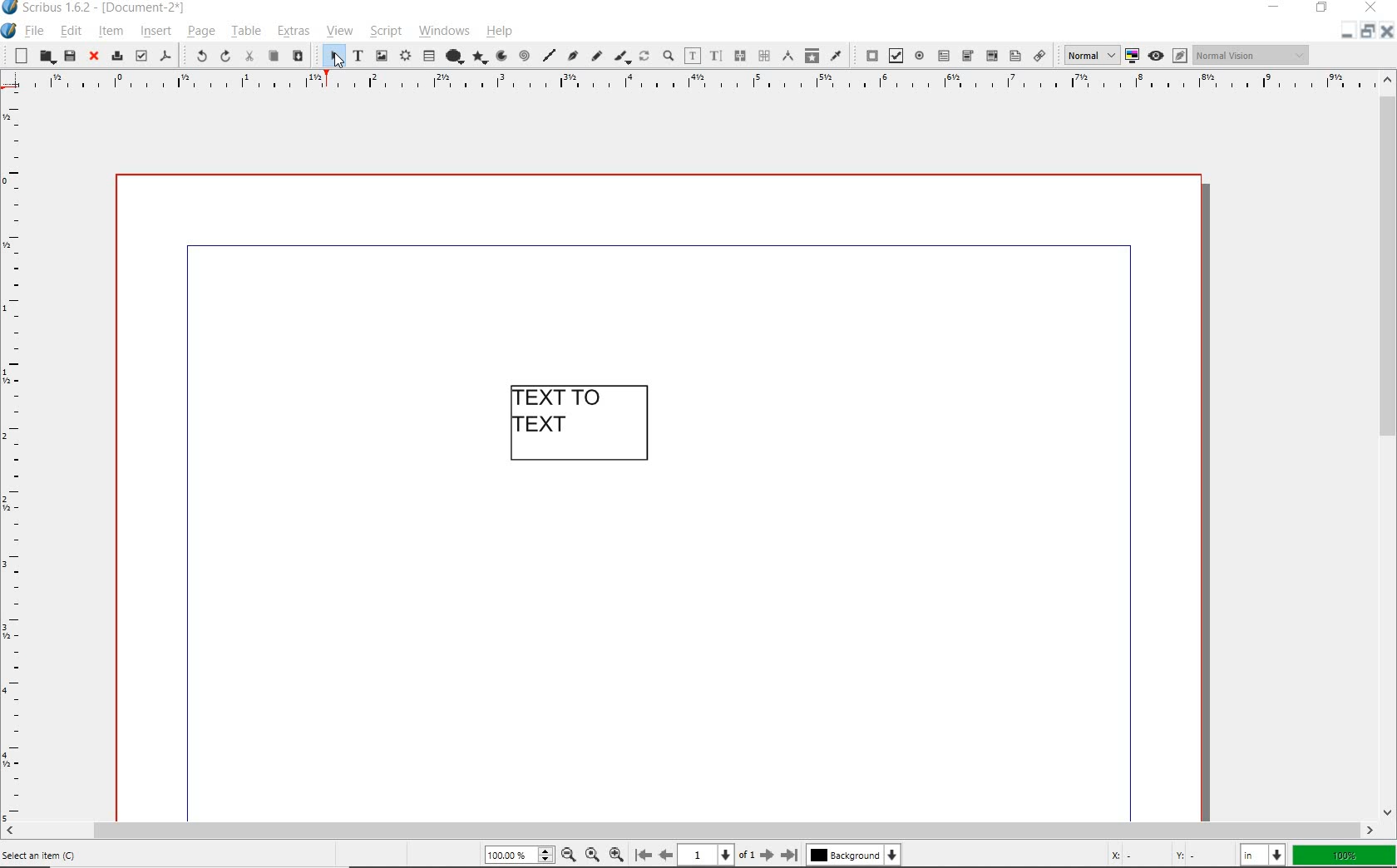  Describe the element at coordinates (36, 32) in the screenshot. I see `file` at that location.